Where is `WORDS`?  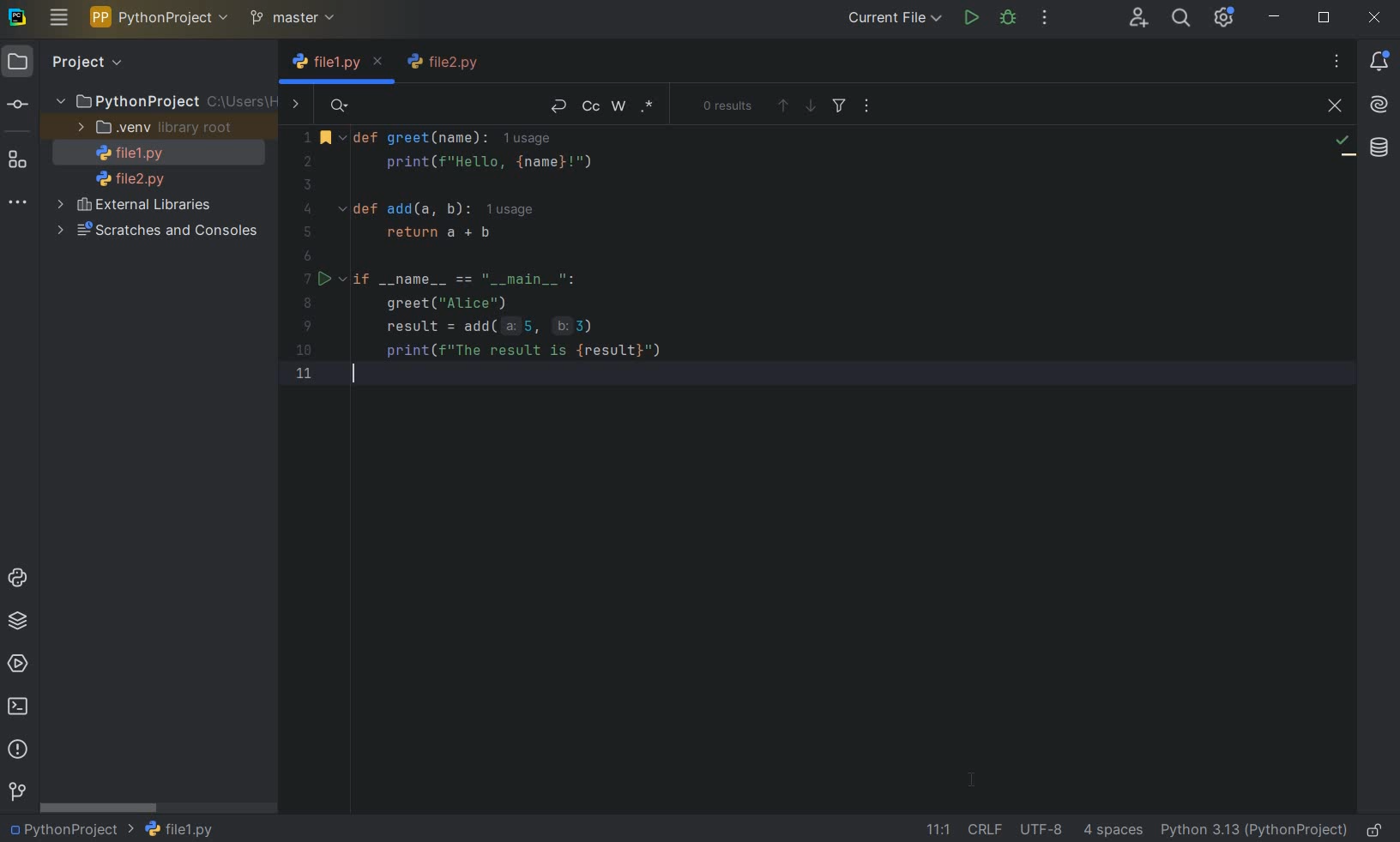 WORDS is located at coordinates (620, 107).